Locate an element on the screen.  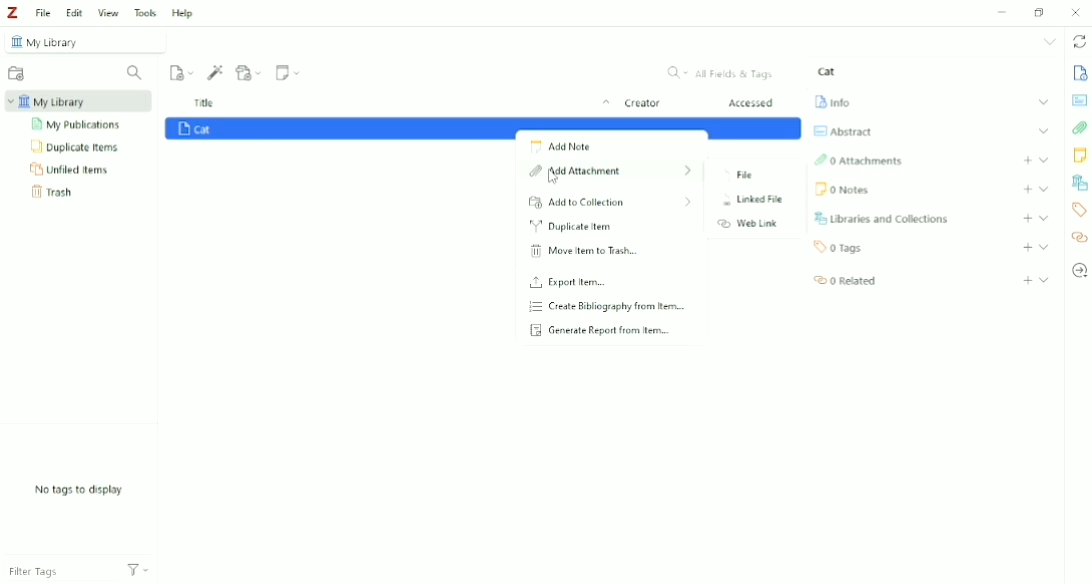
Filter Collections is located at coordinates (135, 73).